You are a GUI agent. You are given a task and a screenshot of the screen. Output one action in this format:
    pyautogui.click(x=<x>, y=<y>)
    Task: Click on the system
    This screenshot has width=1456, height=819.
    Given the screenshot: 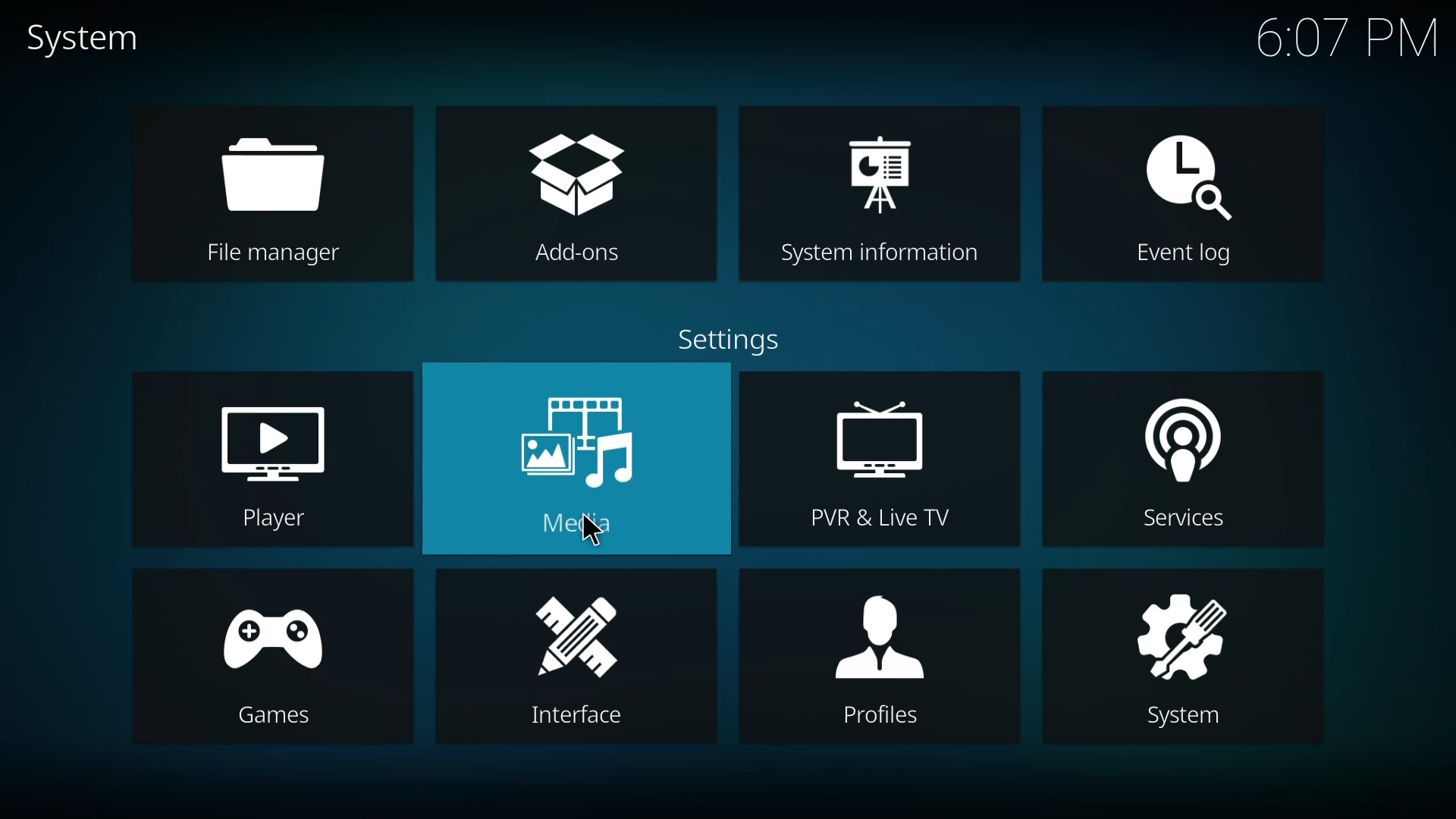 What is the action you would take?
    pyautogui.click(x=84, y=39)
    